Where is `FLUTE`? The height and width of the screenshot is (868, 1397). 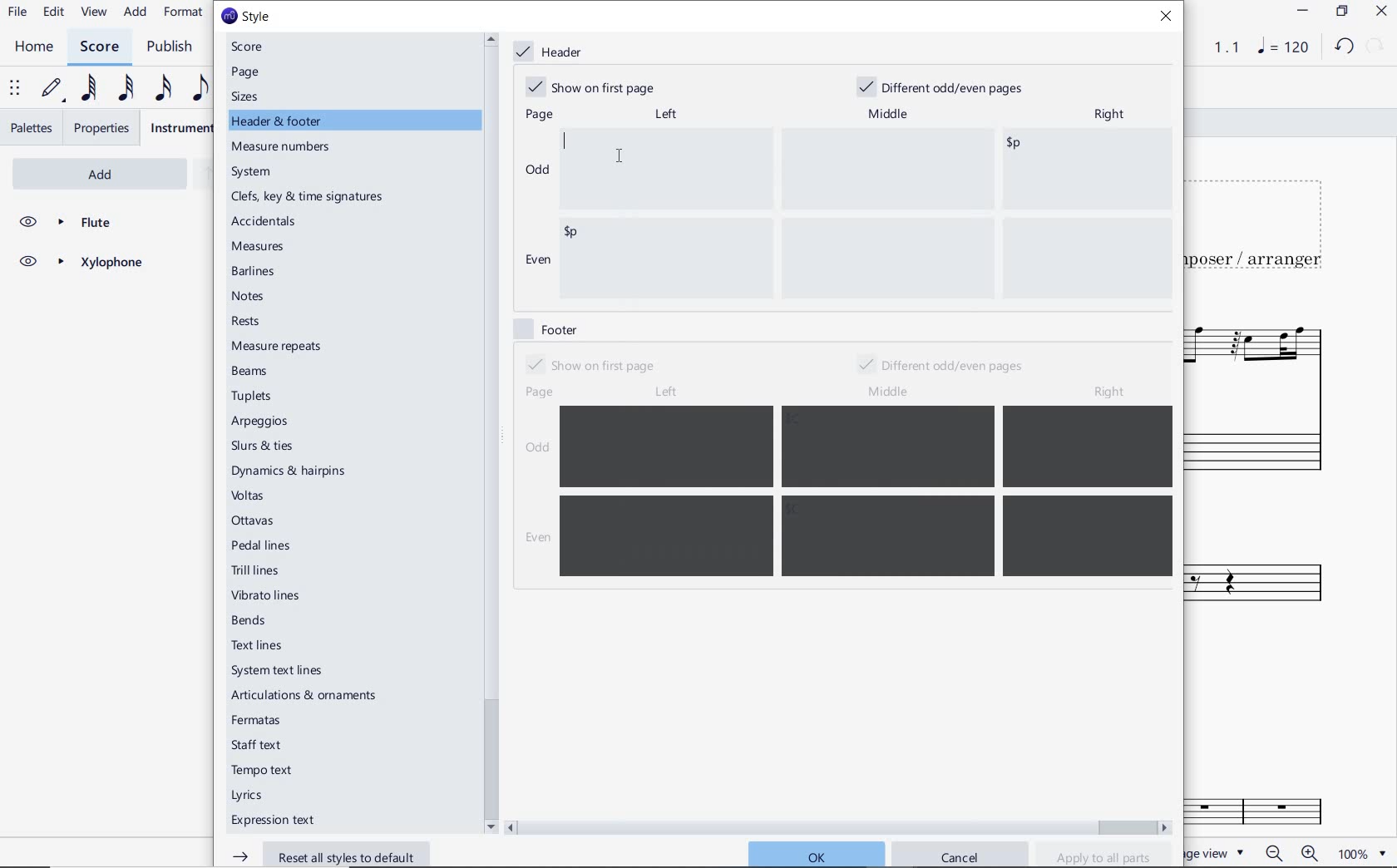 FLUTE is located at coordinates (1266, 394).